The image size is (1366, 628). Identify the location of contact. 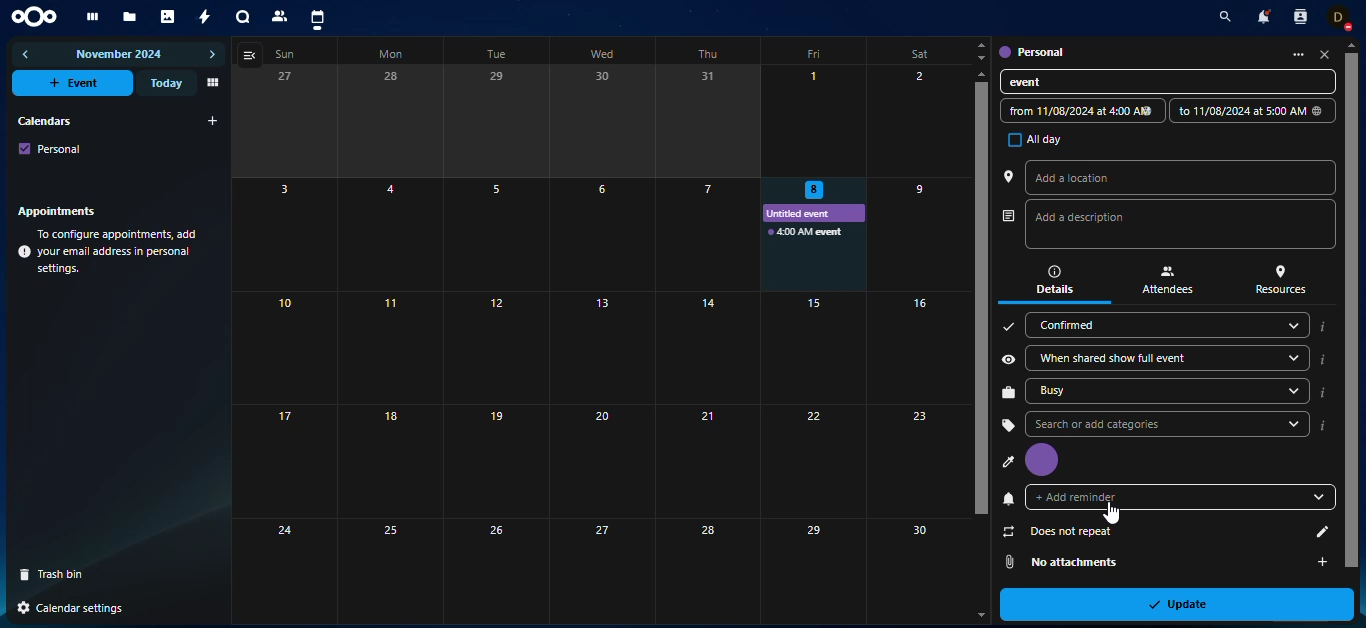
(281, 16).